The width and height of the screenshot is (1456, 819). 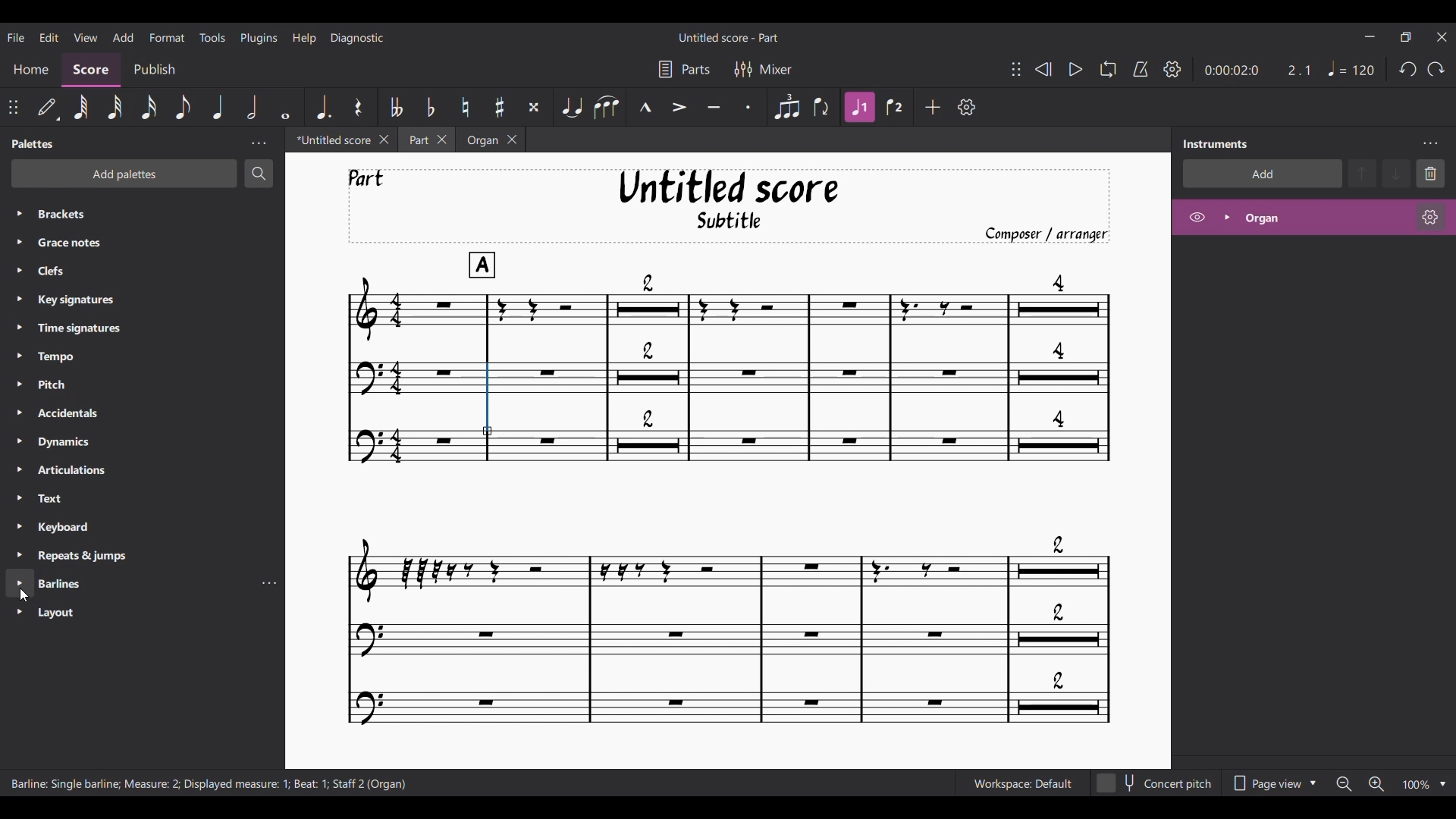 I want to click on Toggle double sharp, so click(x=534, y=107).